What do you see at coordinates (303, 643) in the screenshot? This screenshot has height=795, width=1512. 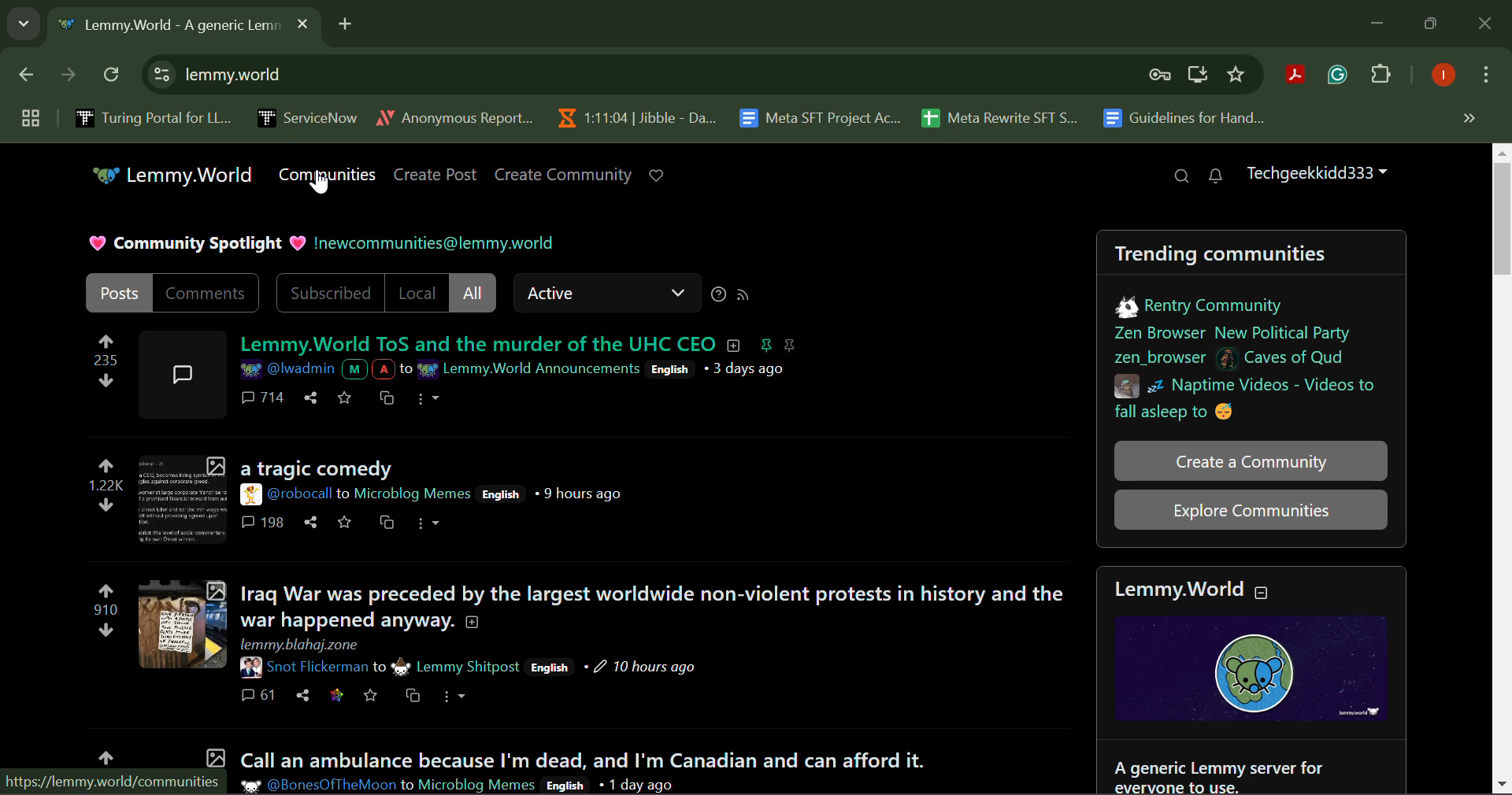 I see `lemmy.bhalaj.zone` at bounding box center [303, 643].